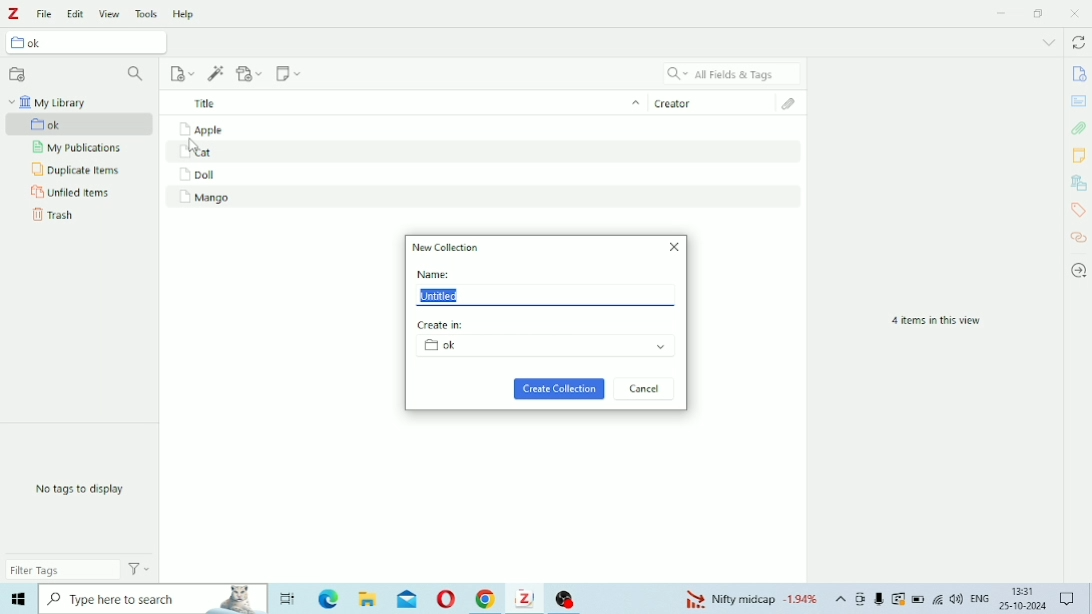  I want to click on Zotero, so click(527, 598).